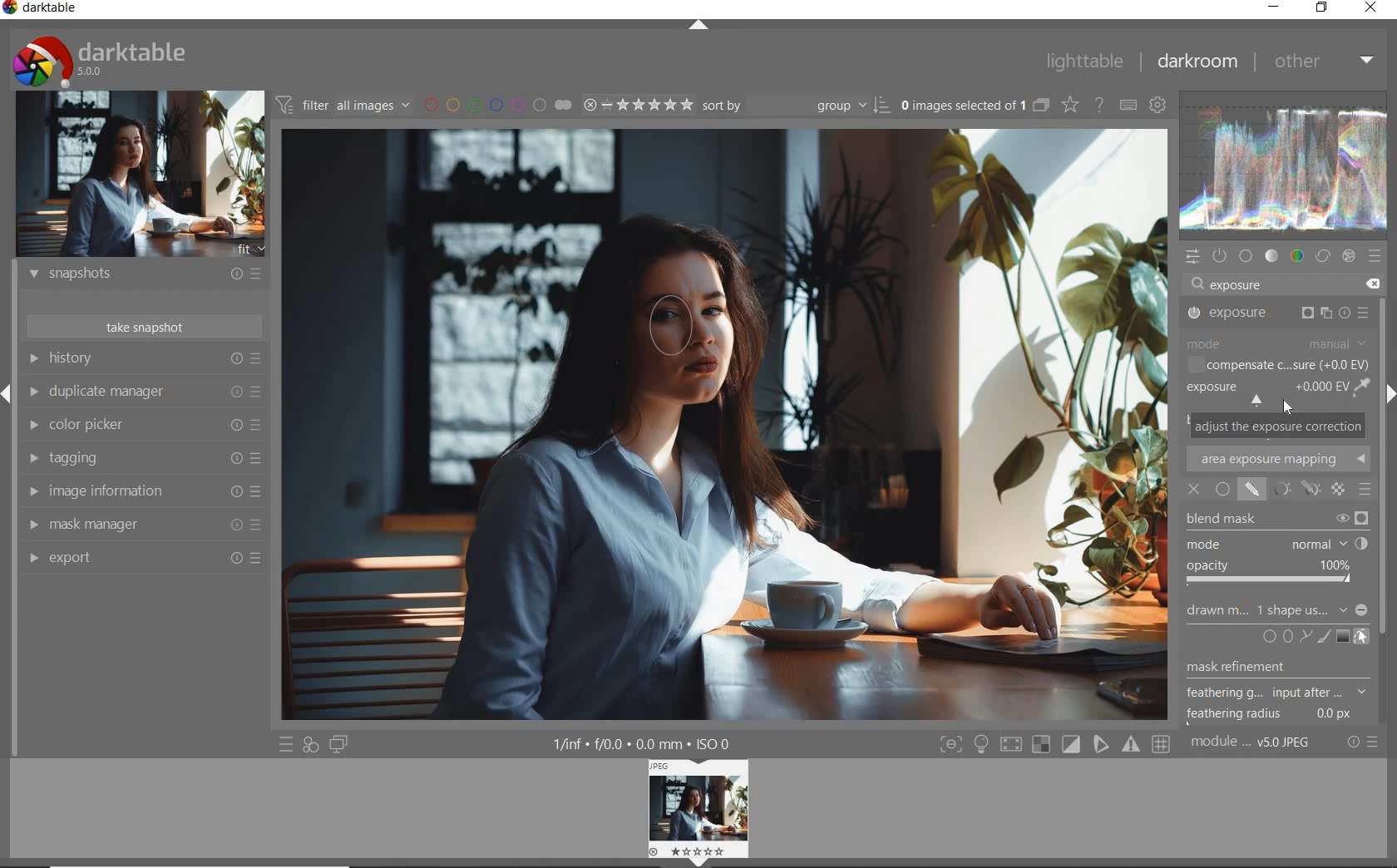 This screenshot has width=1397, height=868. Describe the element at coordinates (1246, 256) in the screenshot. I see `base` at that location.